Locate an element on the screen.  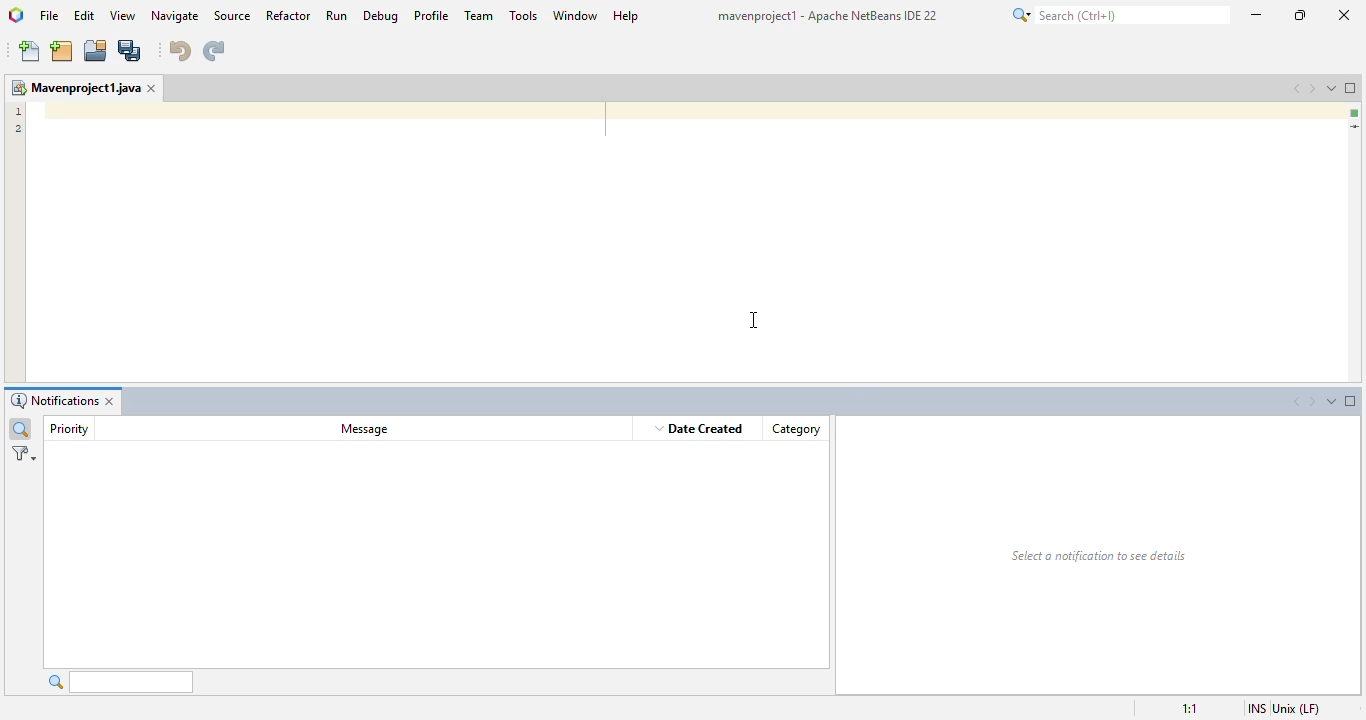
logo is located at coordinates (16, 15).